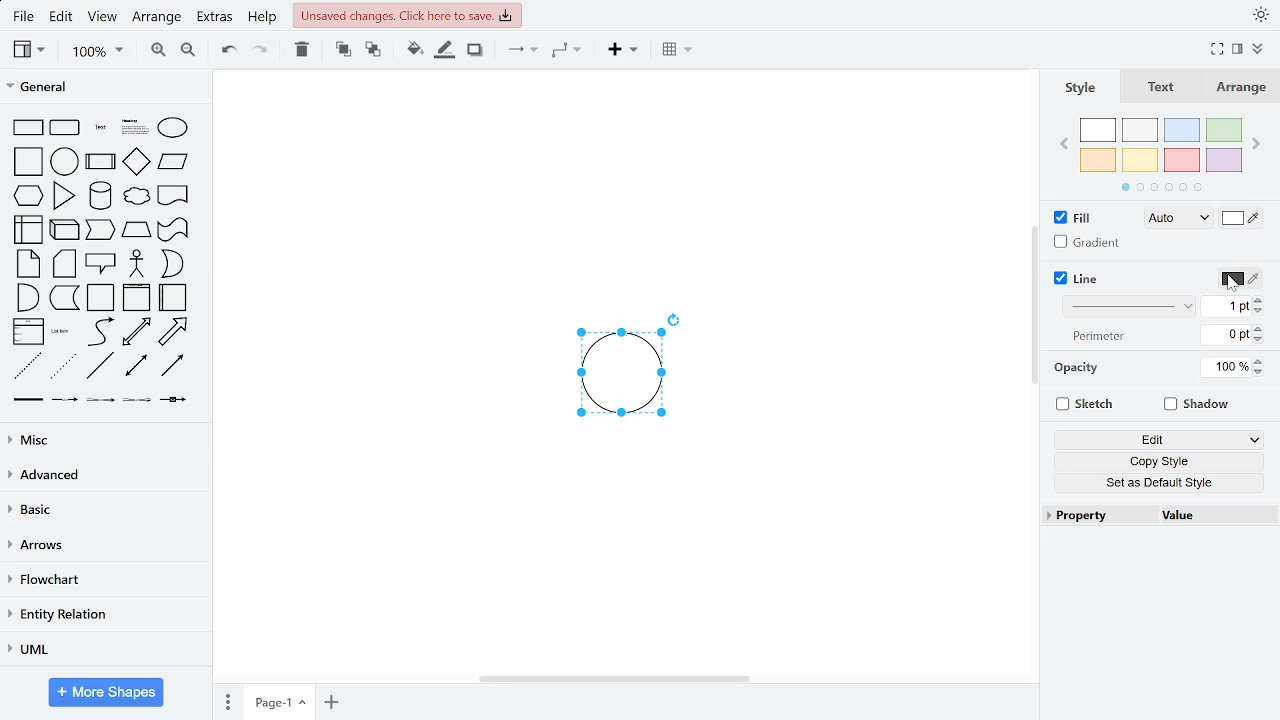 The width and height of the screenshot is (1280, 720). I want to click on list, so click(29, 332).